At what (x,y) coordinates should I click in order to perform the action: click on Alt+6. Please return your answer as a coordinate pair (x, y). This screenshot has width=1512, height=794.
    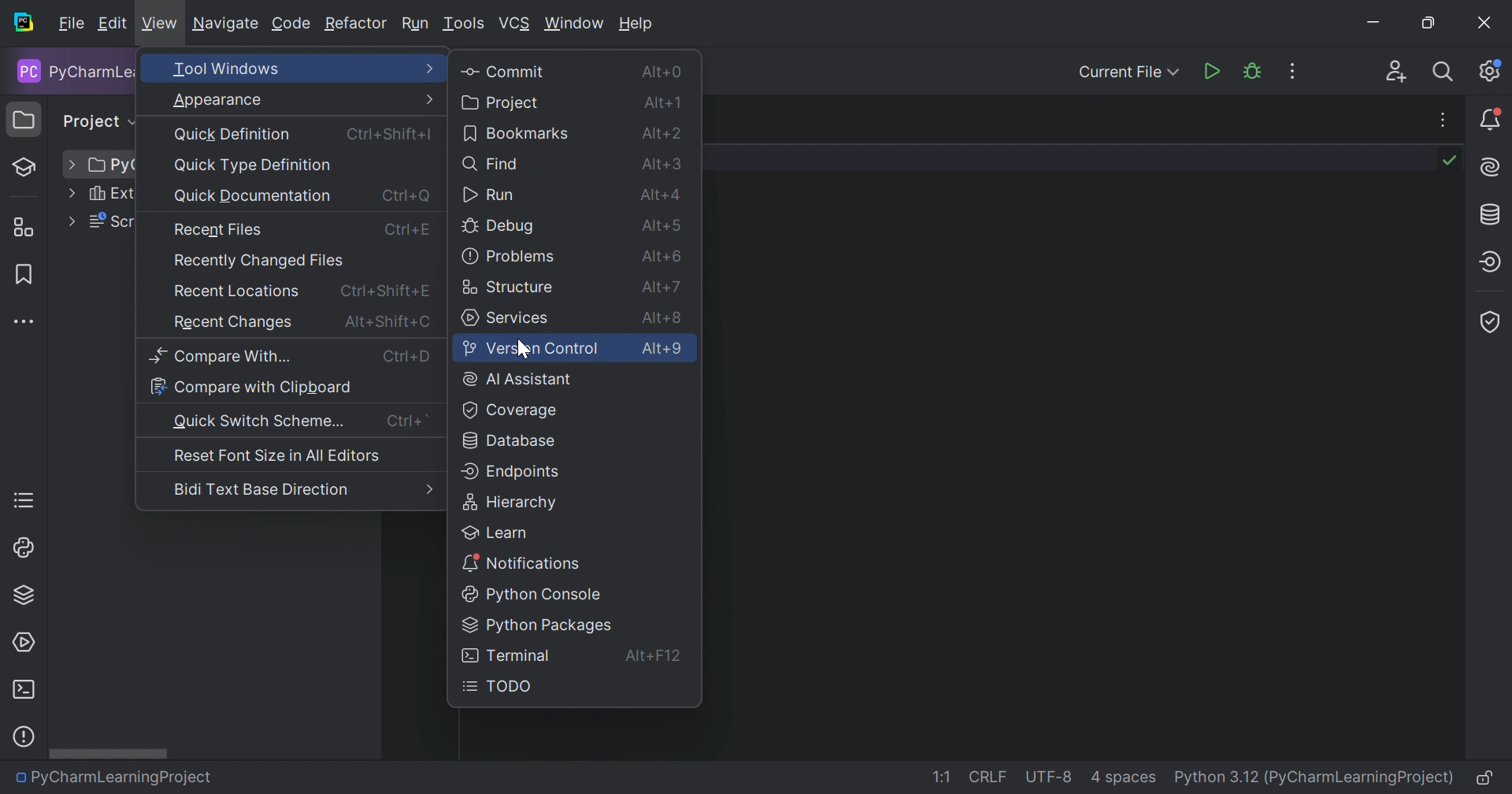
    Looking at the image, I should click on (662, 254).